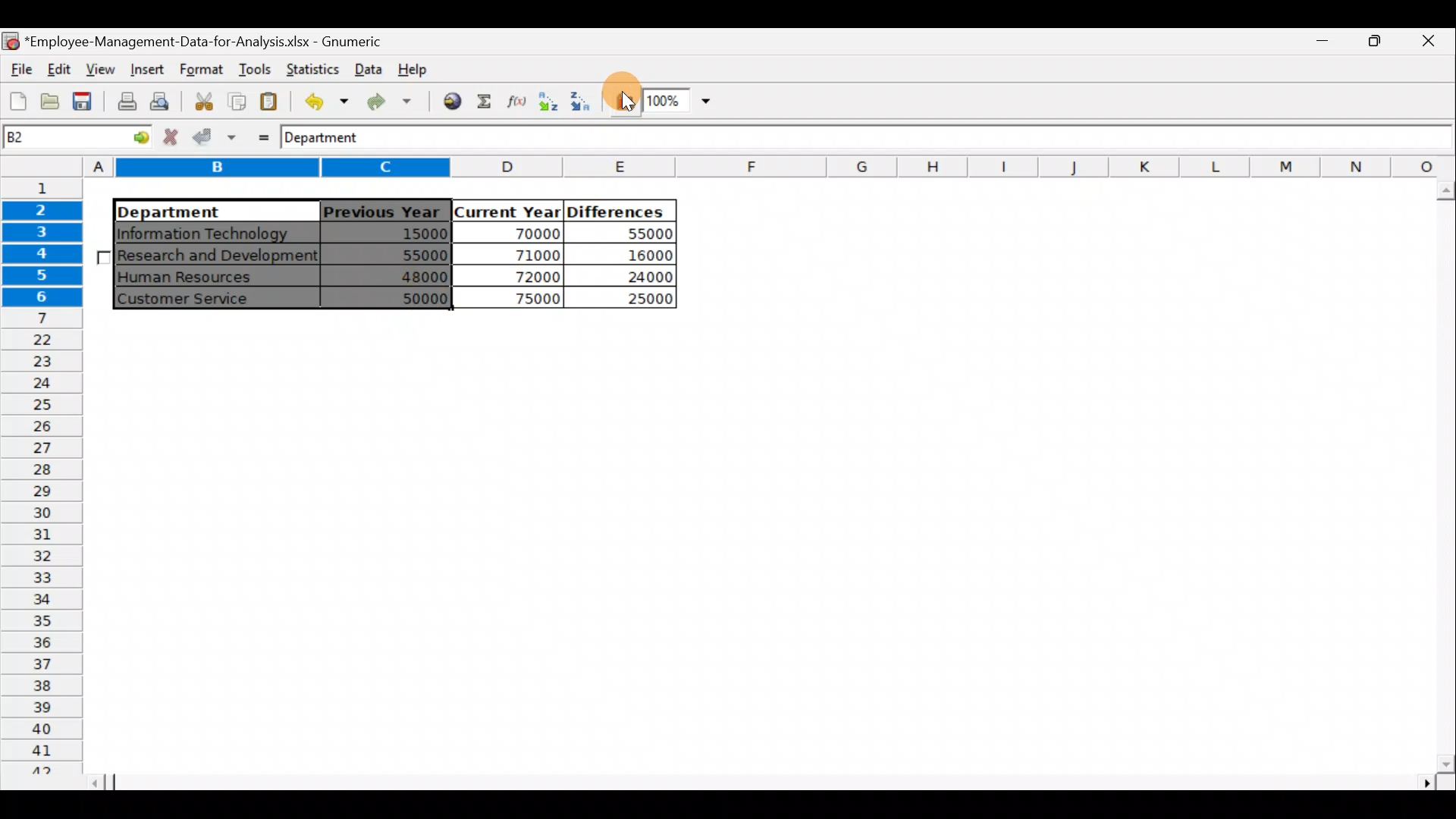 The image size is (1456, 819). Describe the element at coordinates (203, 99) in the screenshot. I see `Cut the selection` at that location.